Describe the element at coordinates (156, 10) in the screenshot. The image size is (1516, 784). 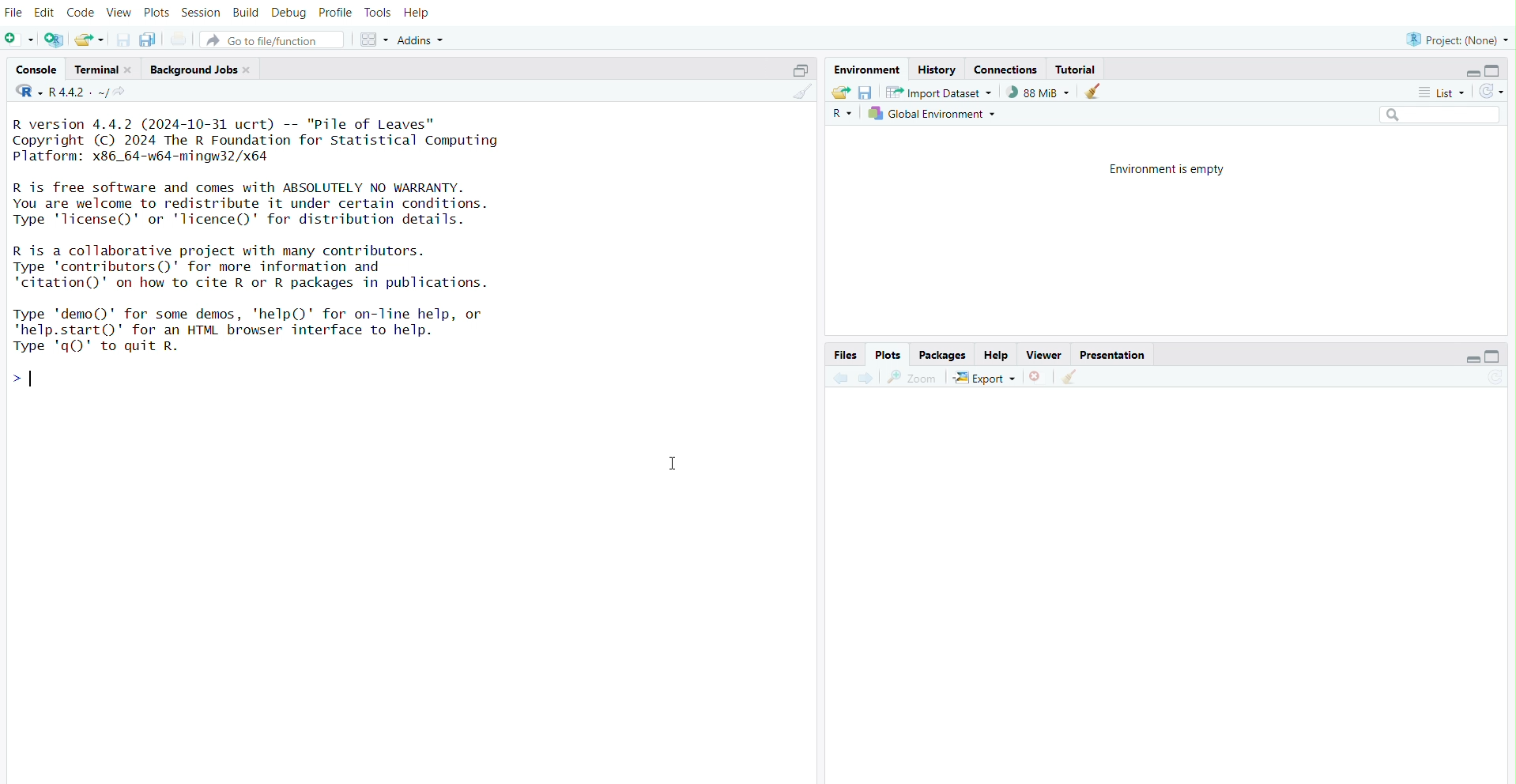
I see `plots` at that location.